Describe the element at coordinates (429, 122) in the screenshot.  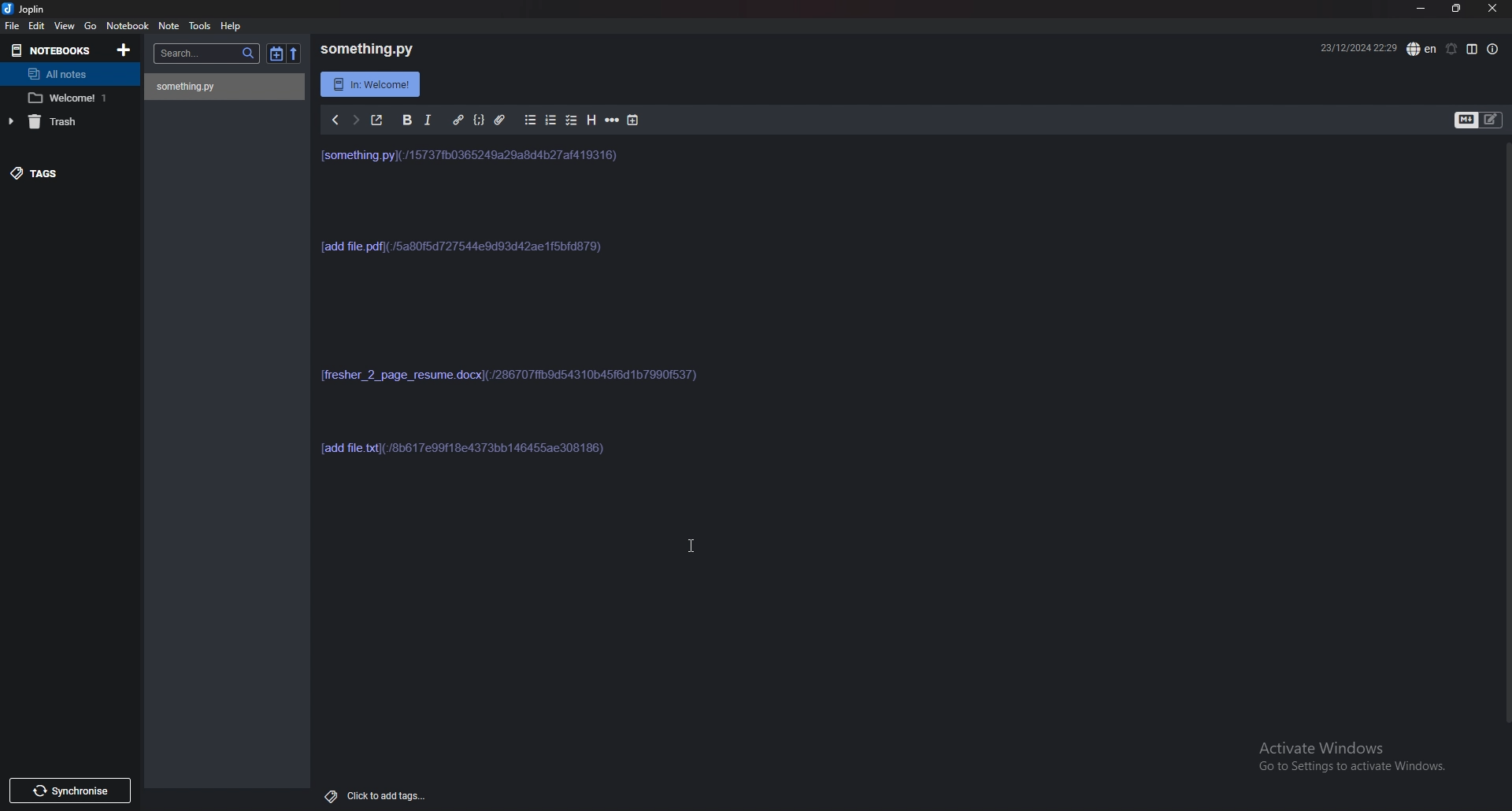
I see `Italic` at that location.